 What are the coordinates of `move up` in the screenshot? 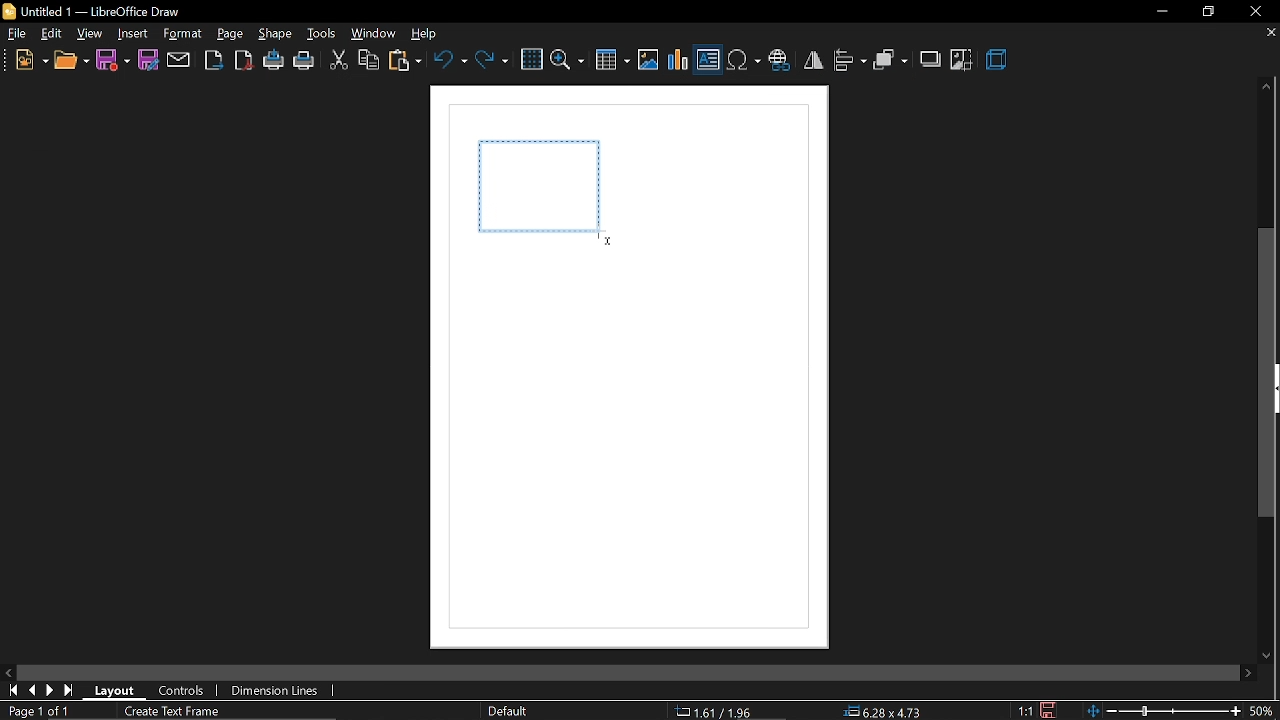 It's located at (1262, 87).